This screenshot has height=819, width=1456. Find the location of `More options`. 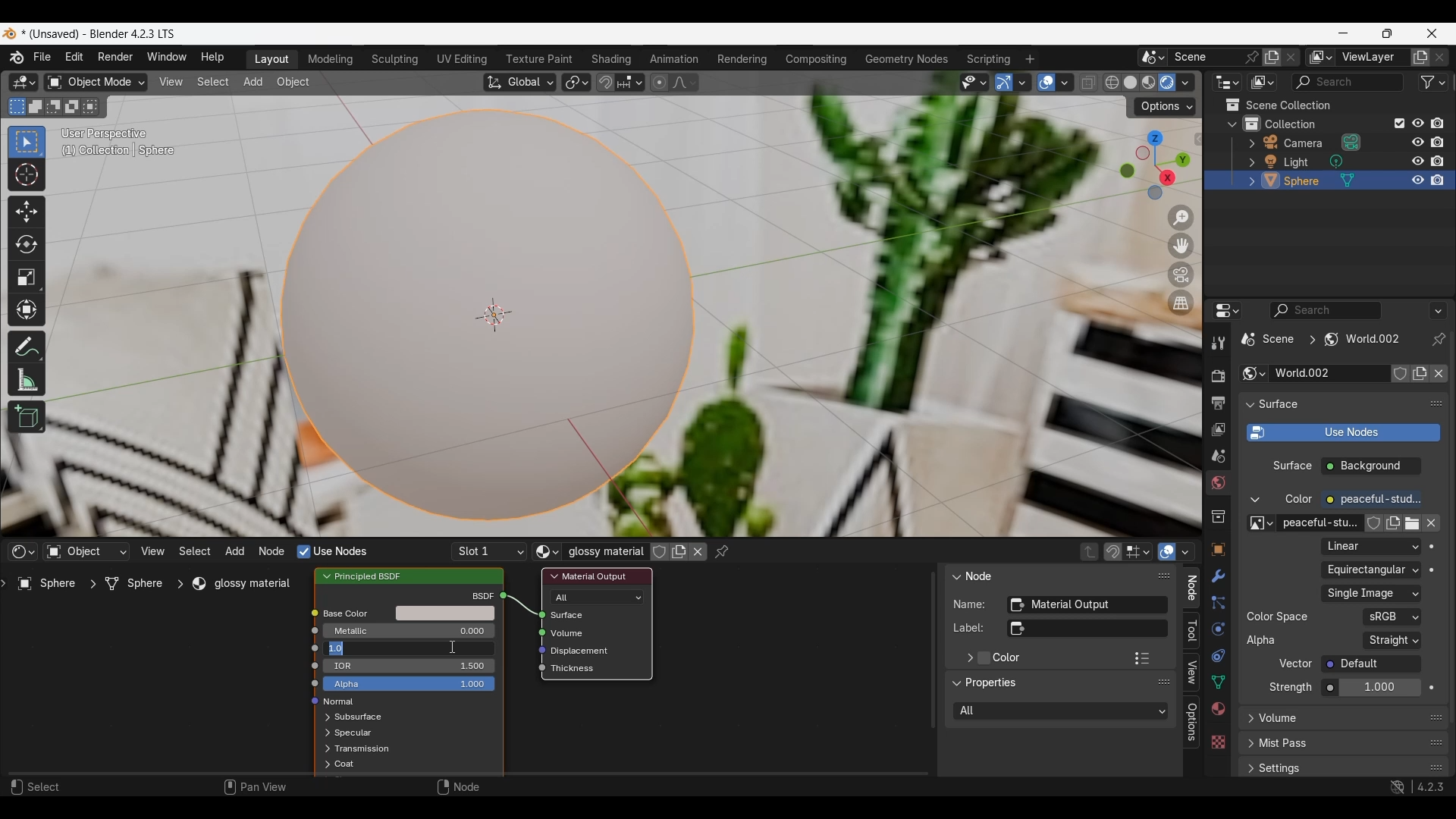

More options is located at coordinates (1438, 311).